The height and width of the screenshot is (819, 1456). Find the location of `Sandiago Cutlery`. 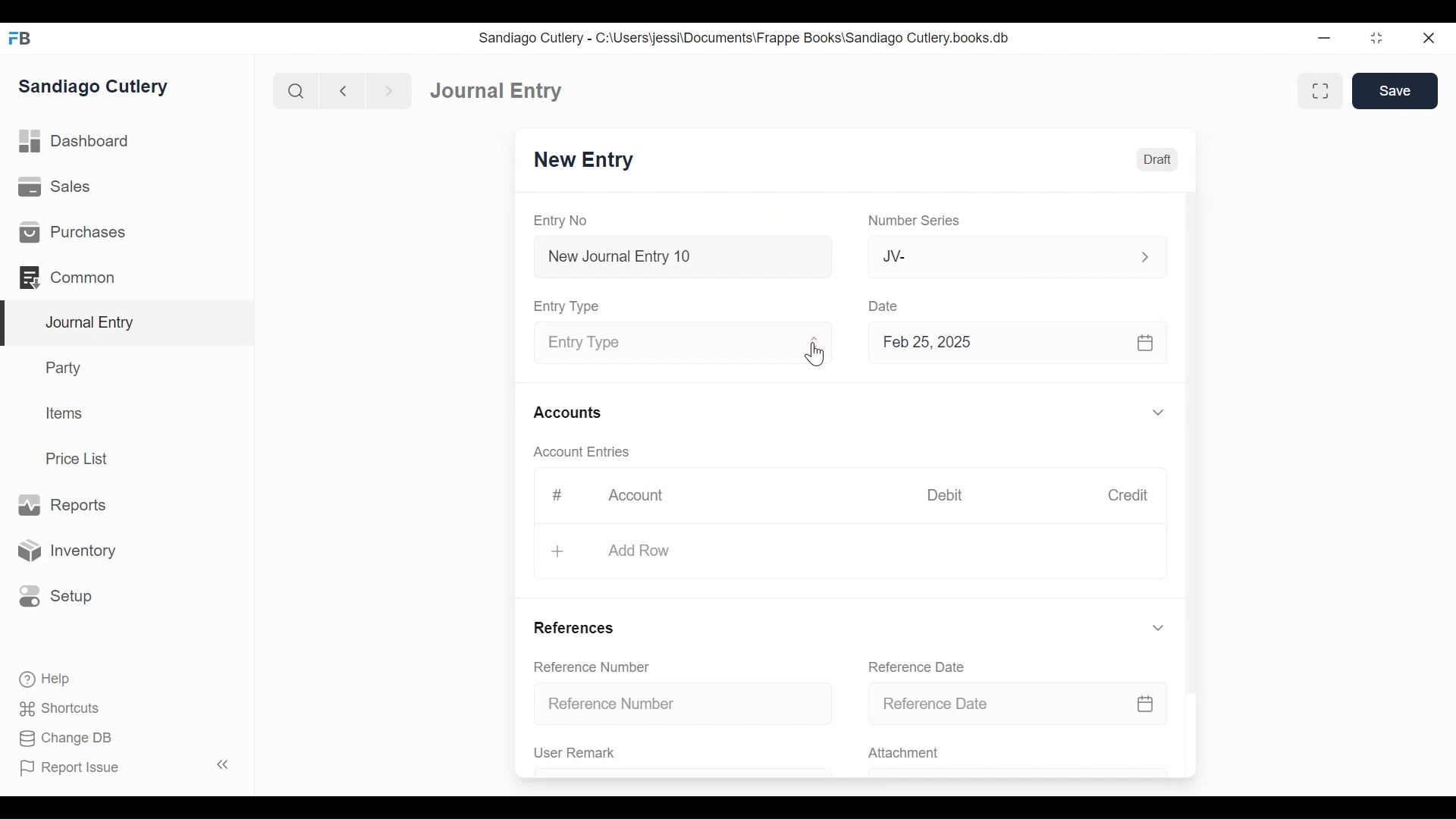

Sandiago Cutlery is located at coordinates (94, 87).